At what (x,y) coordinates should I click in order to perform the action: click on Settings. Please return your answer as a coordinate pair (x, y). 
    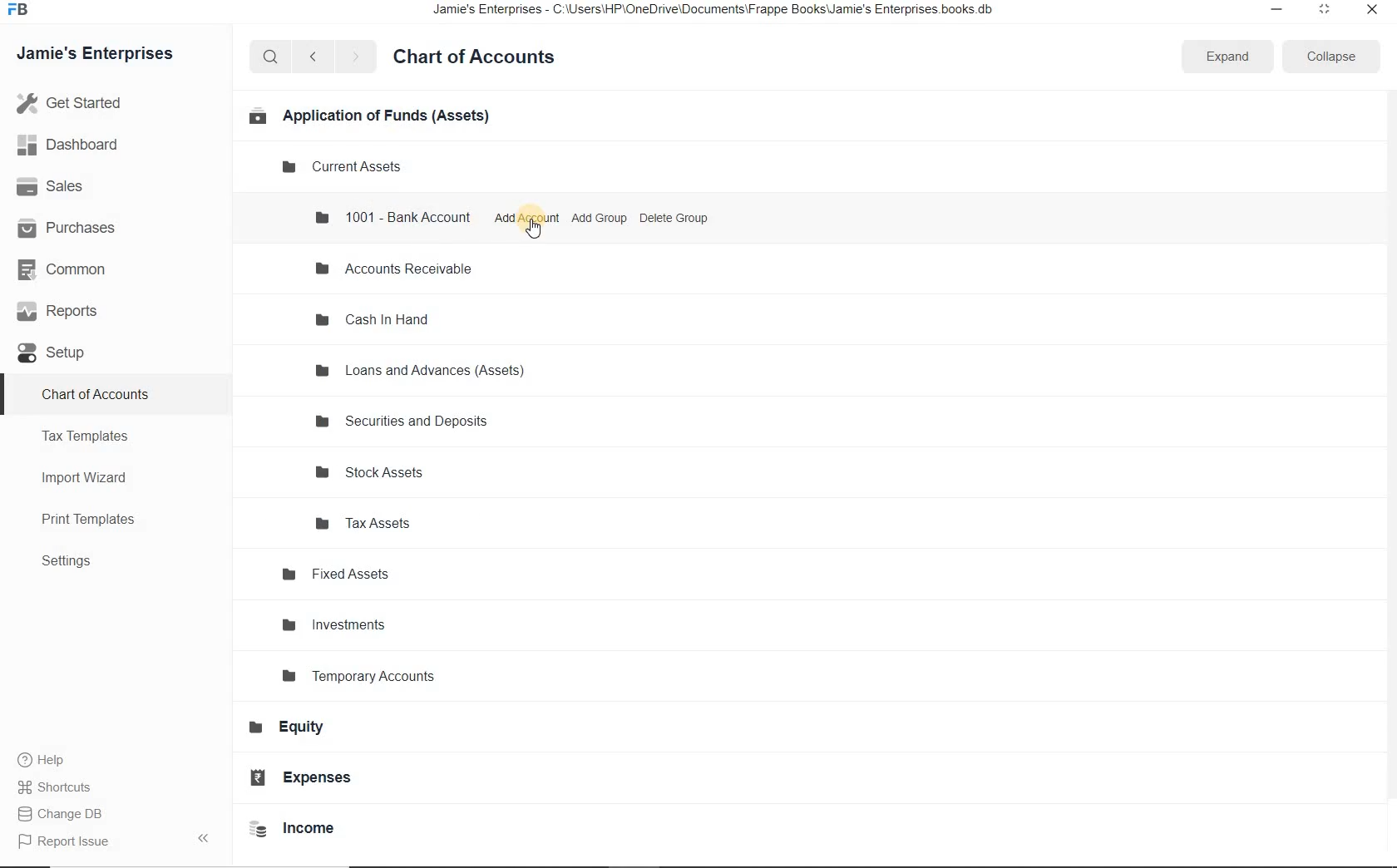
    Looking at the image, I should click on (74, 562).